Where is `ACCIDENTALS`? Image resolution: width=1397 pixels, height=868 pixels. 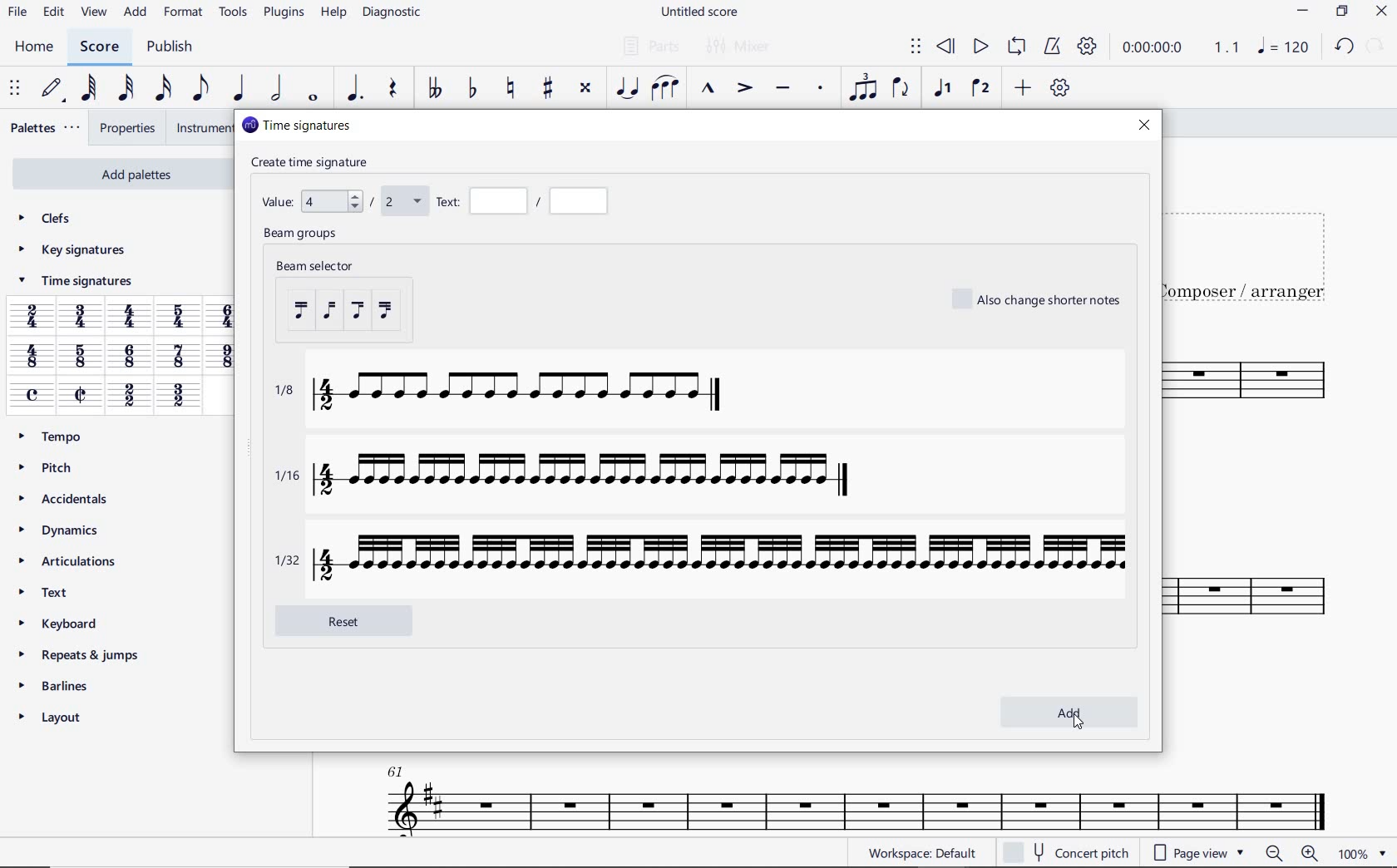 ACCIDENTALS is located at coordinates (65, 496).